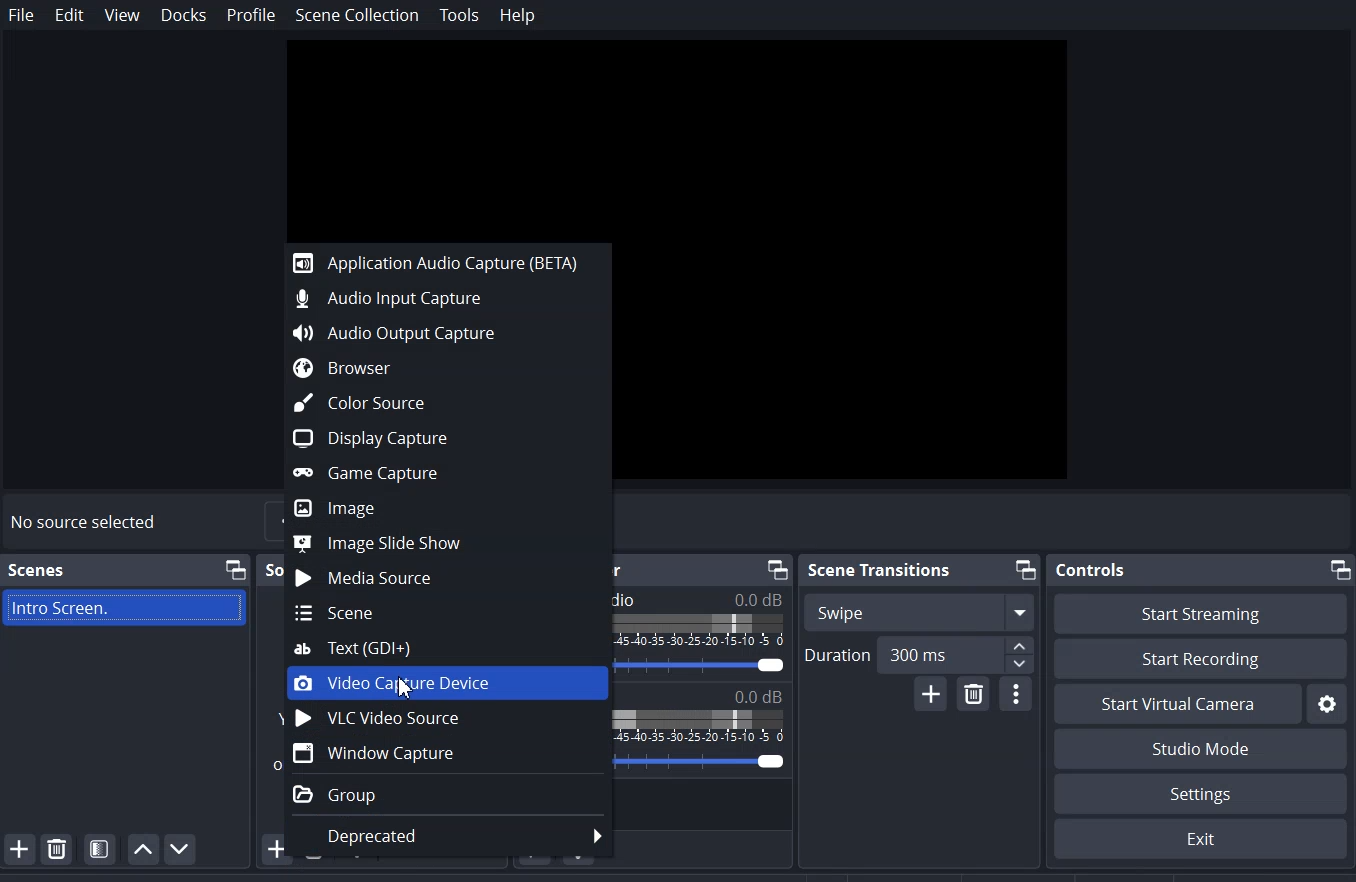 This screenshot has height=882, width=1356. I want to click on Start Virtual camera, so click(1177, 704).